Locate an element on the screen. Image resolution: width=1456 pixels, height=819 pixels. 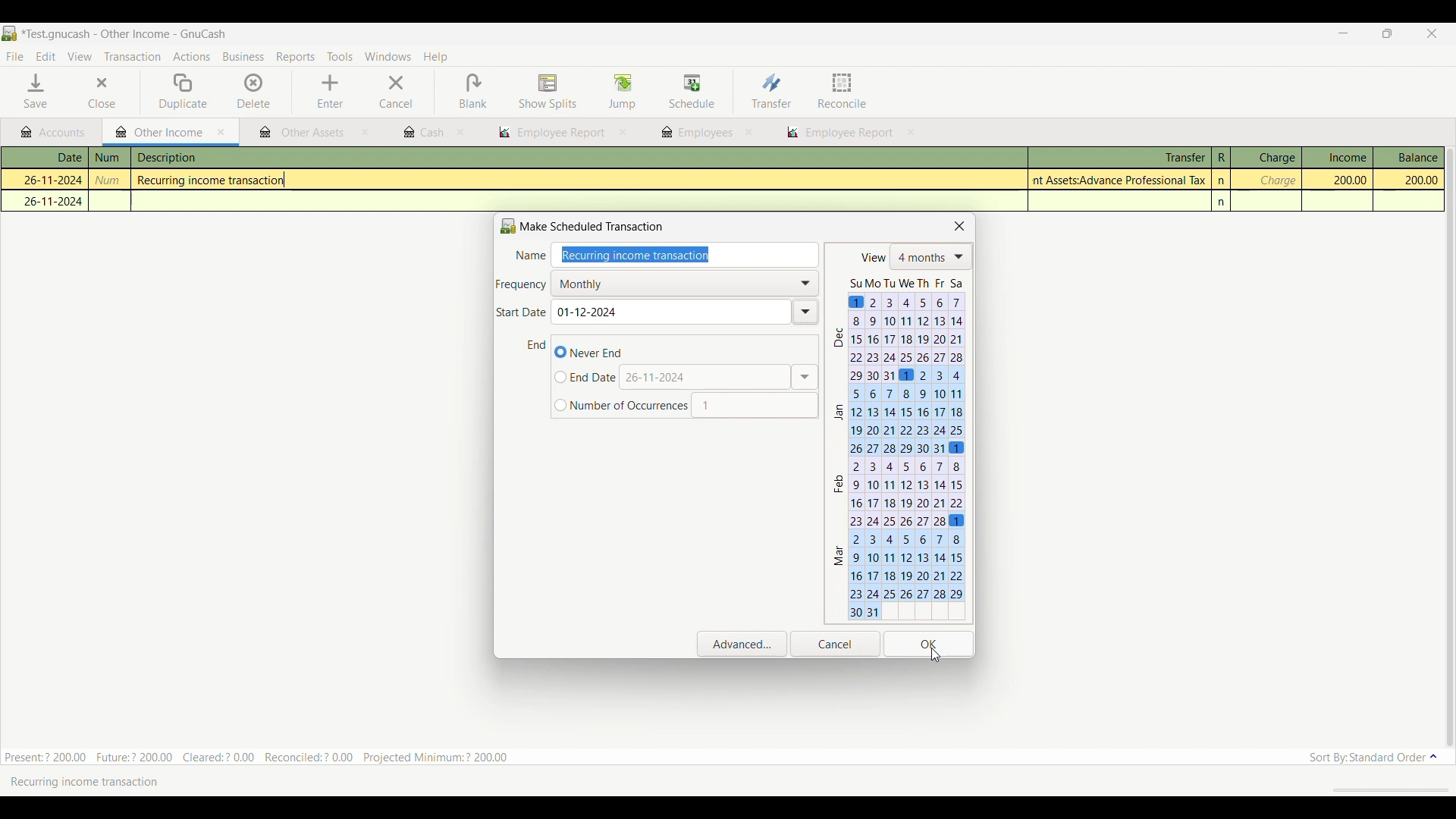
Input number of finite occurrences is located at coordinates (620, 406).